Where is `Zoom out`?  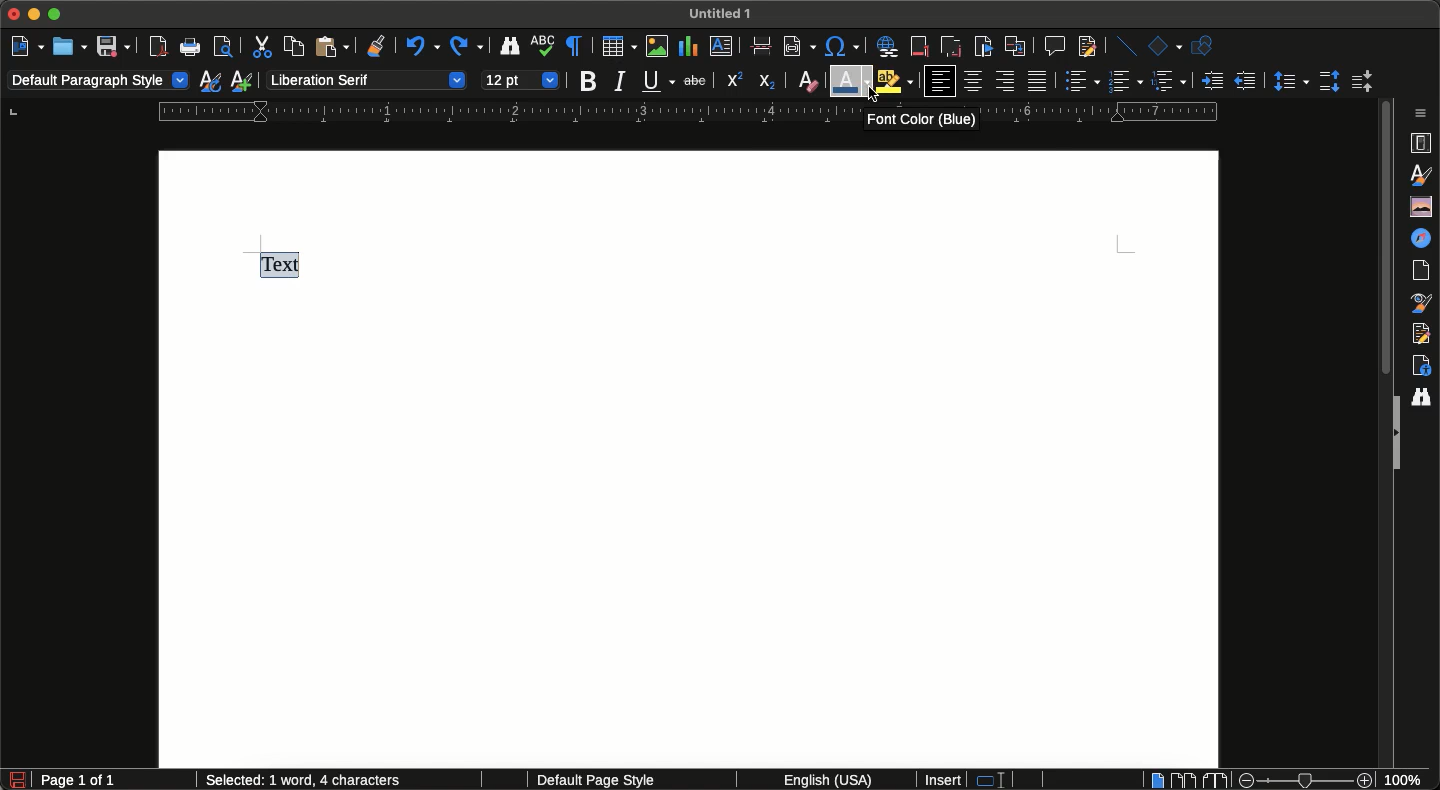
Zoom out is located at coordinates (1241, 779).